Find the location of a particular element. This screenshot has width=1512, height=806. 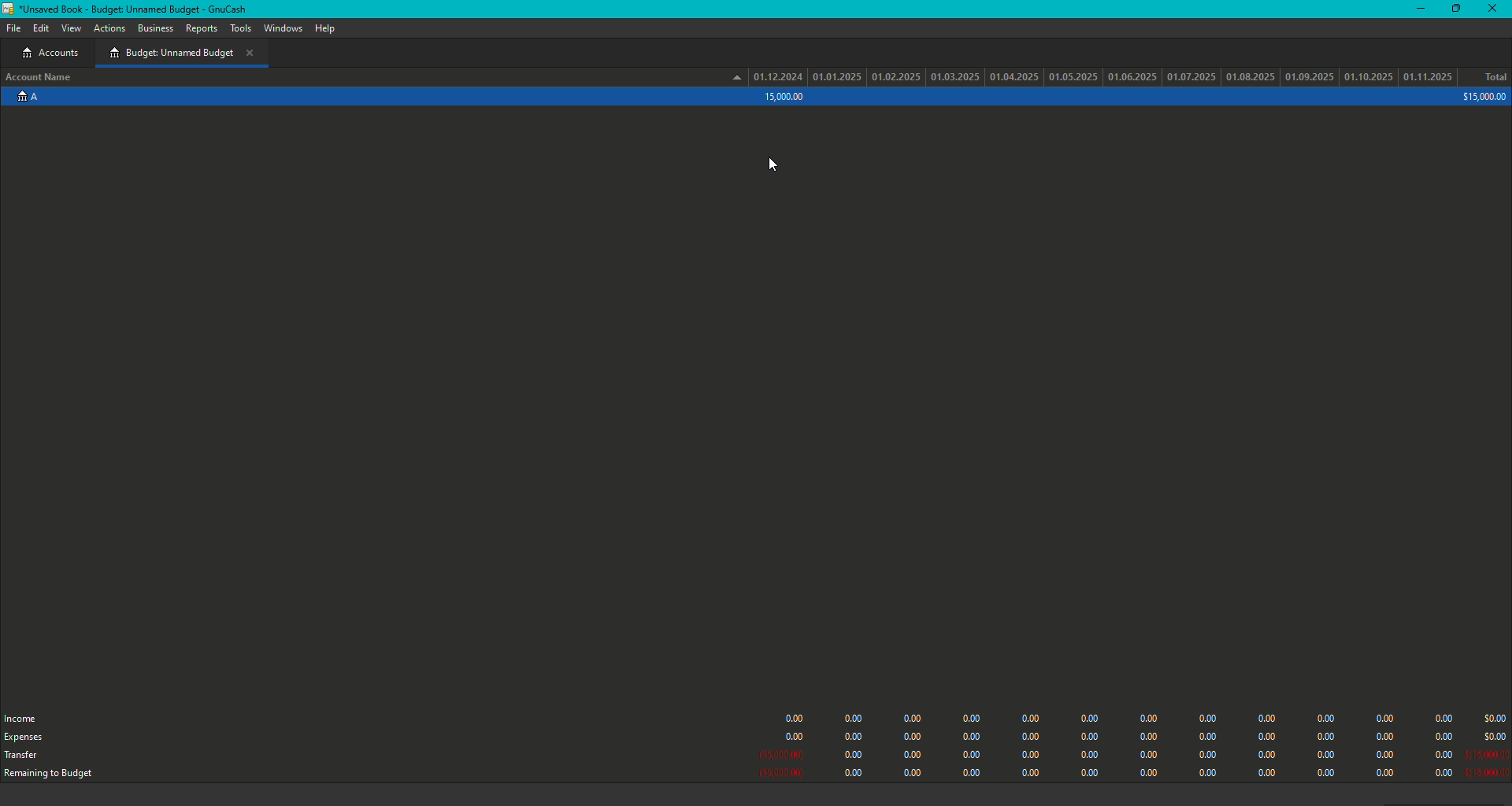

Tools is located at coordinates (240, 28).